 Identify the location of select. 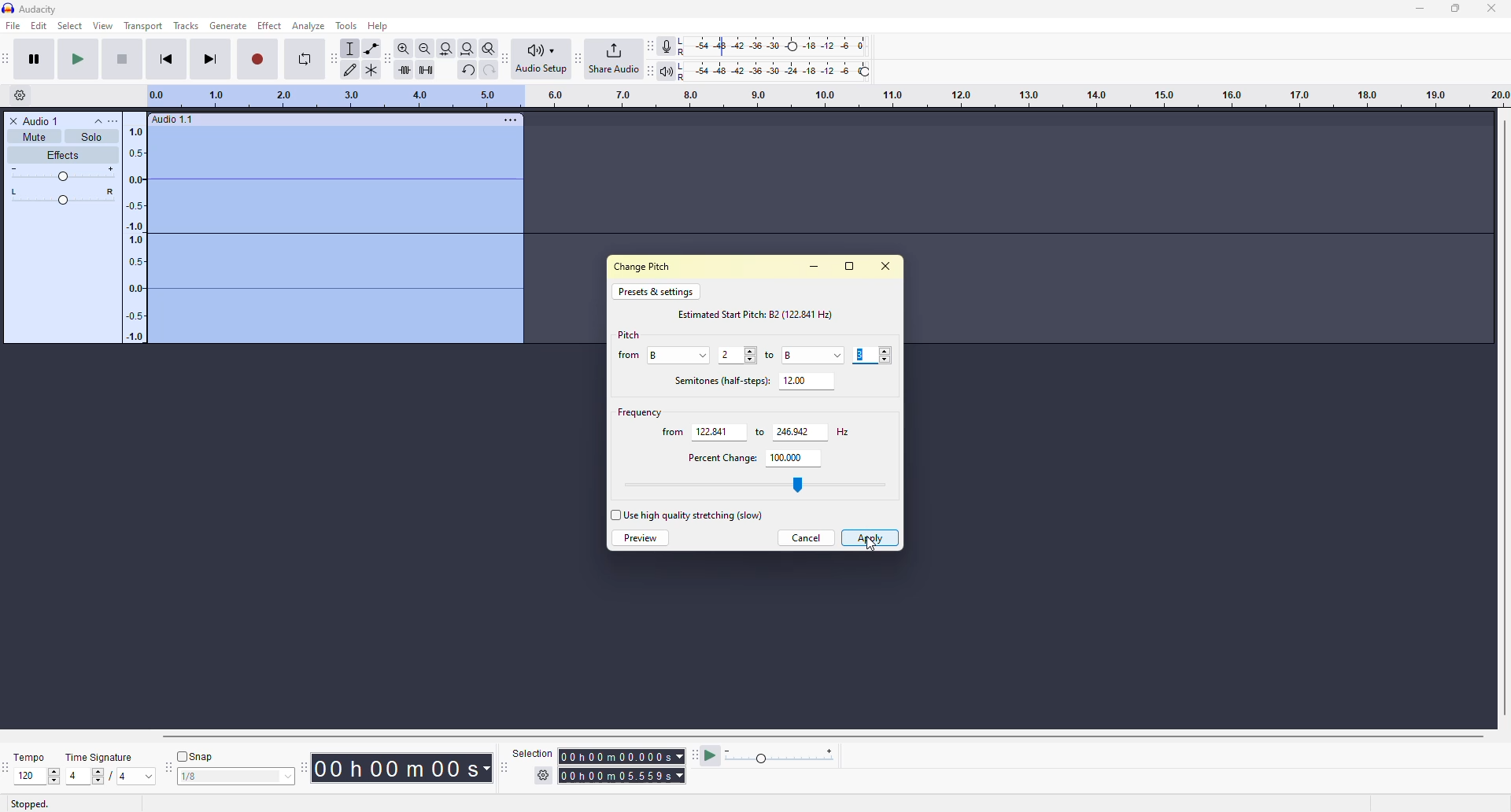
(705, 353).